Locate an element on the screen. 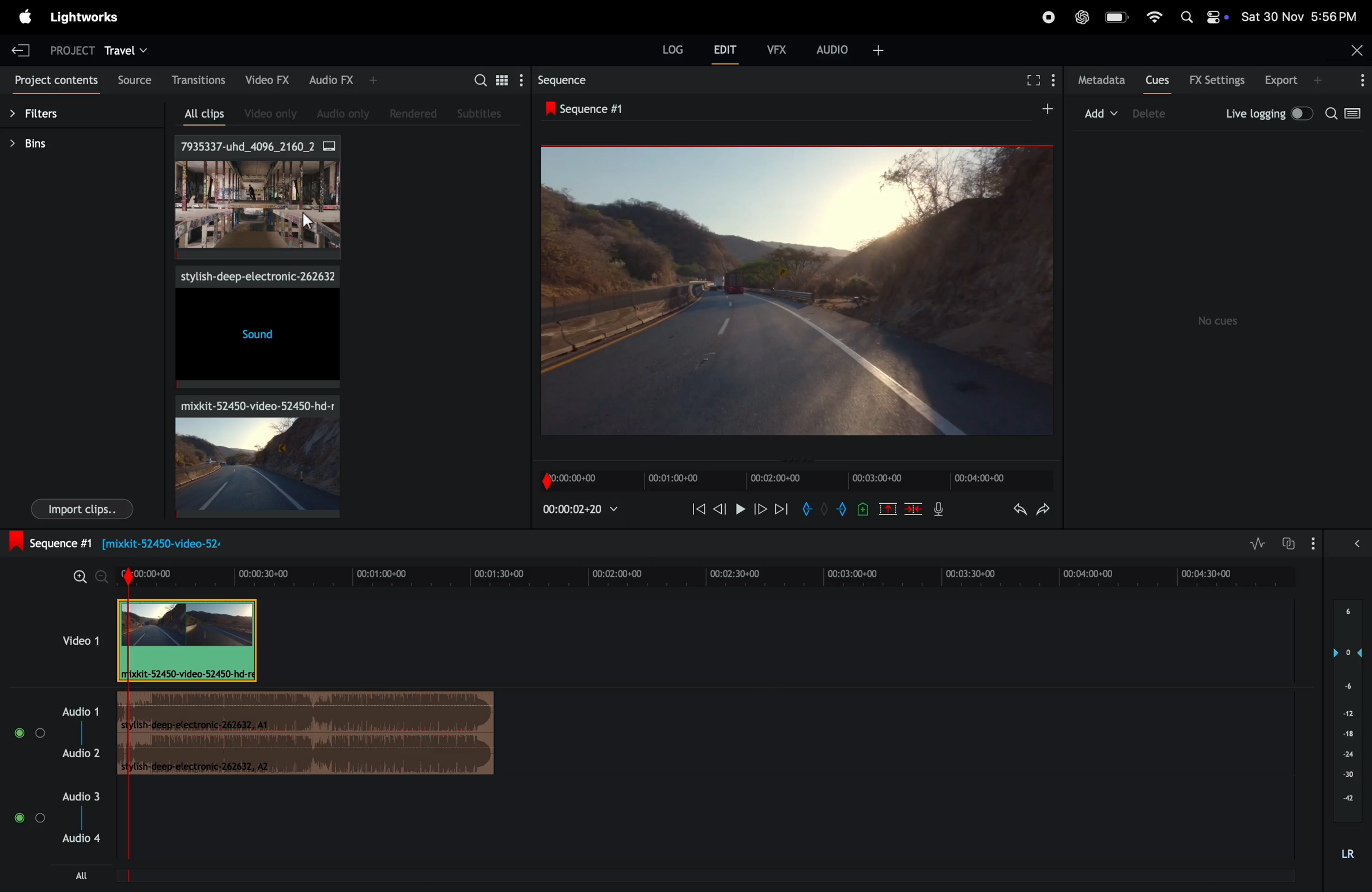 The width and height of the screenshot is (1372, 892). toggle audio editing levels is located at coordinates (1254, 543).